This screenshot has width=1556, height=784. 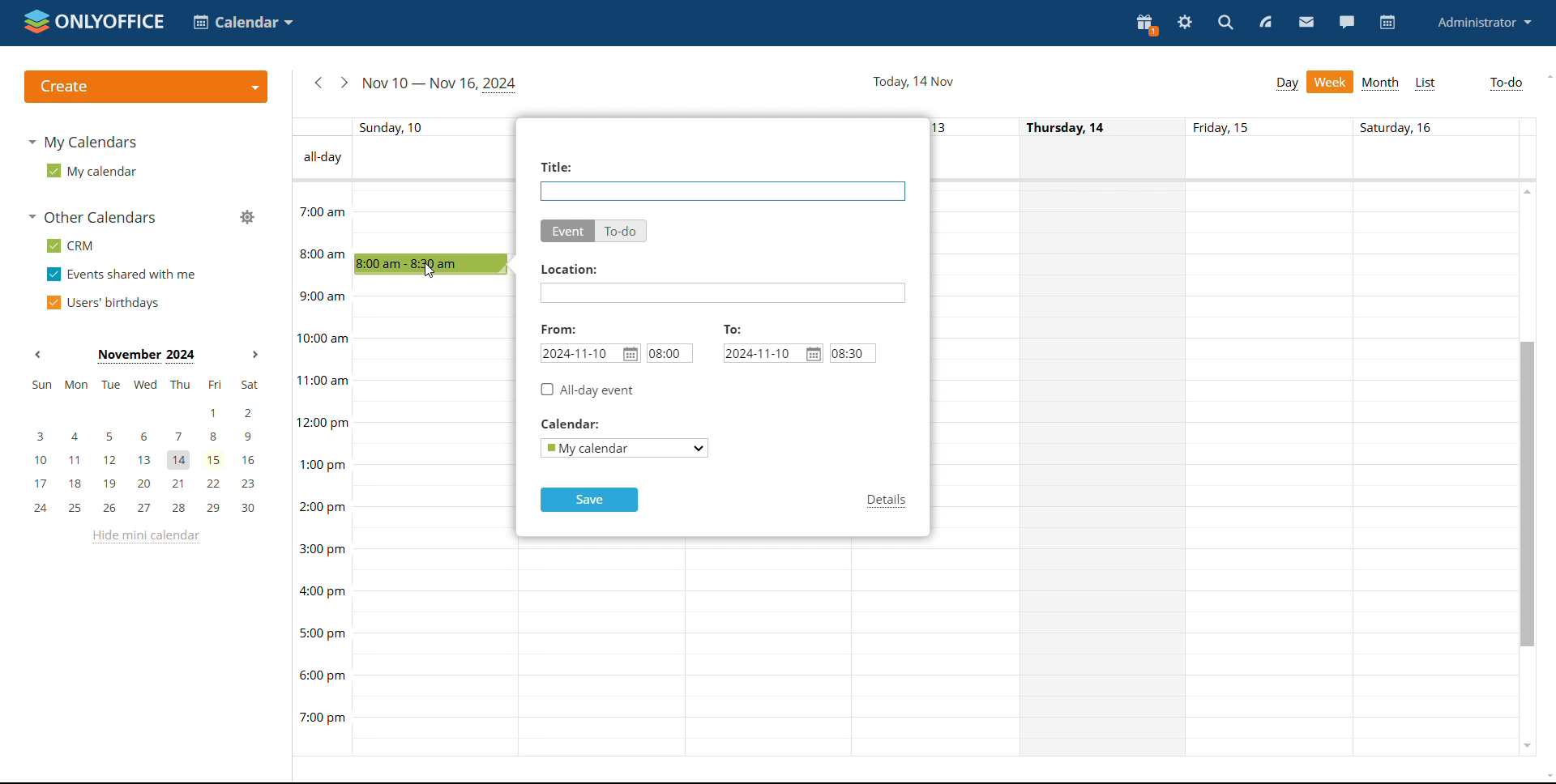 I want to click on from:, so click(x=558, y=328).